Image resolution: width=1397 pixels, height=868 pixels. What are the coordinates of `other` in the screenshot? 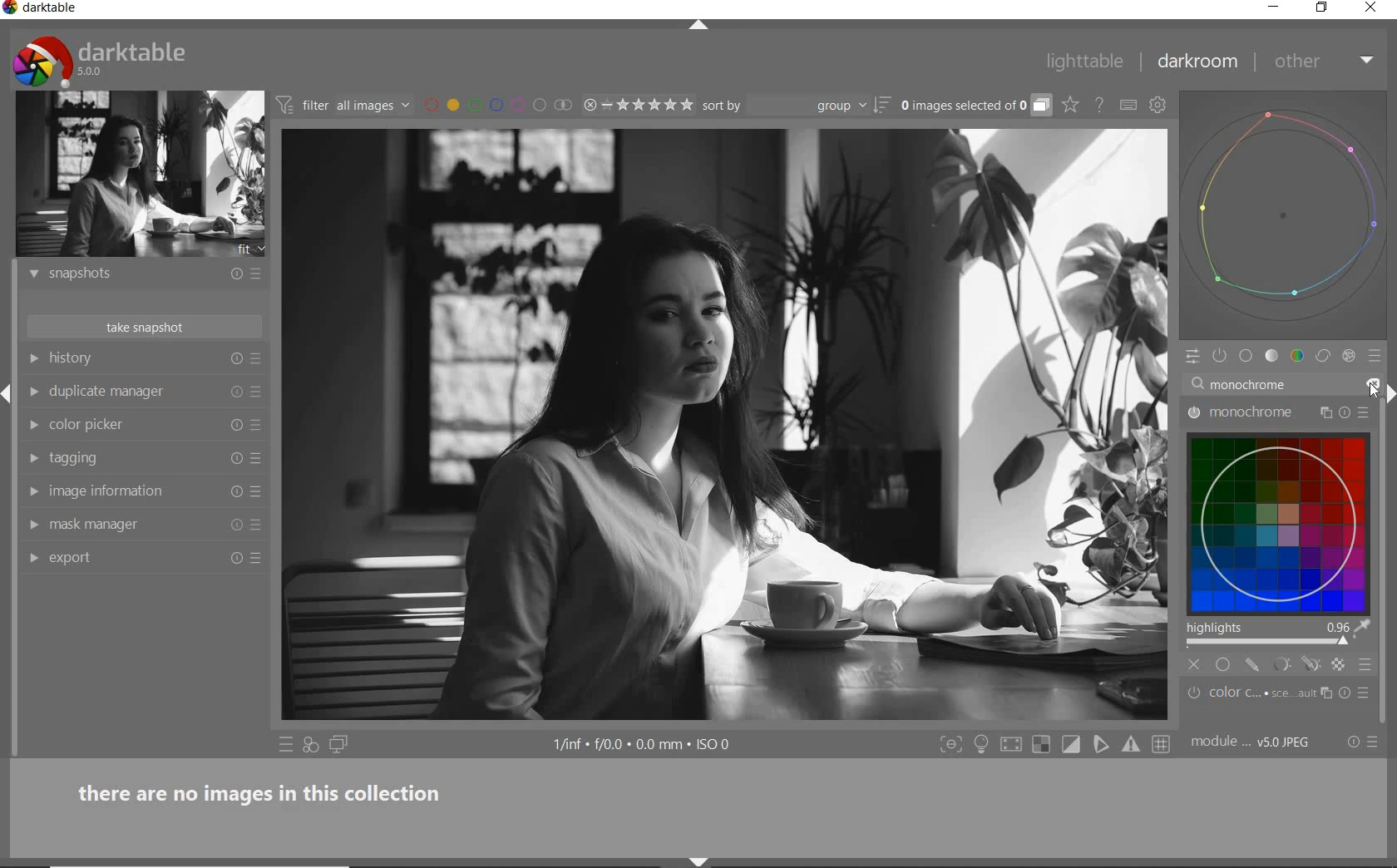 It's located at (1326, 61).